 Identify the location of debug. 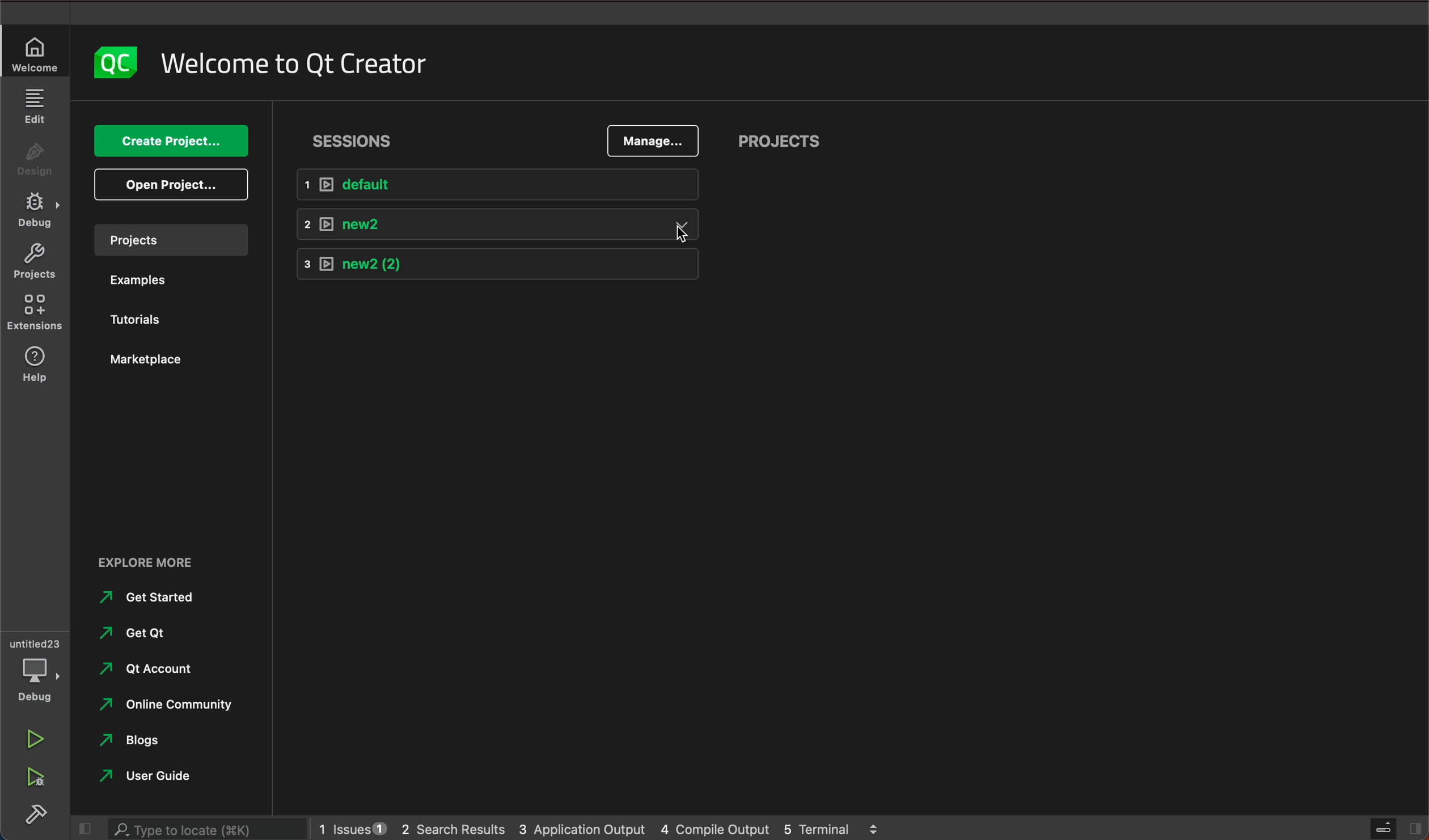
(34, 669).